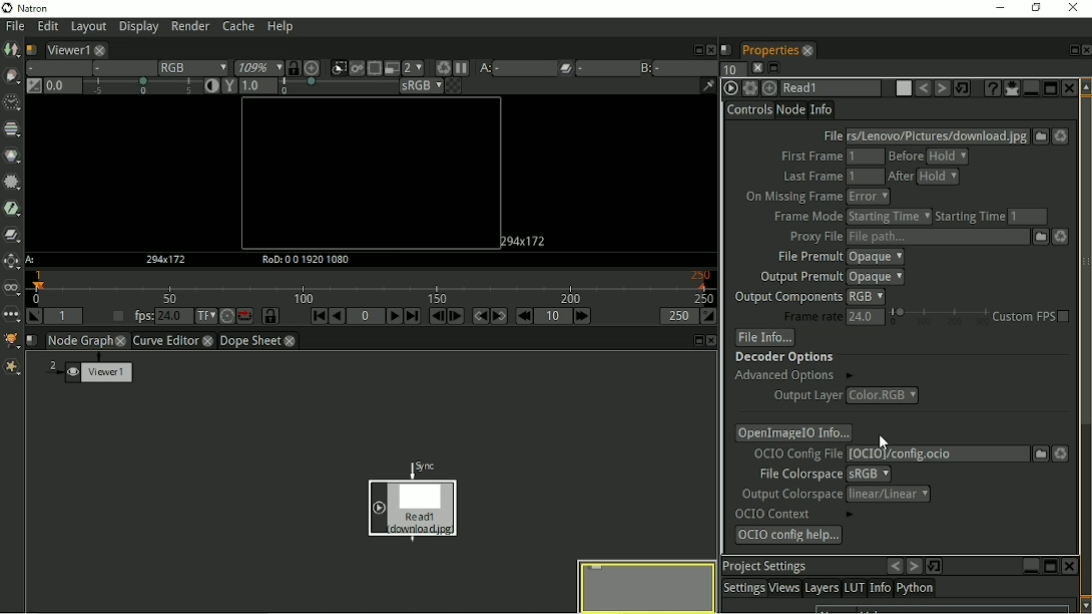 The width and height of the screenshot is (1092, 614). I want to click on Minimize, so click(997, 7).